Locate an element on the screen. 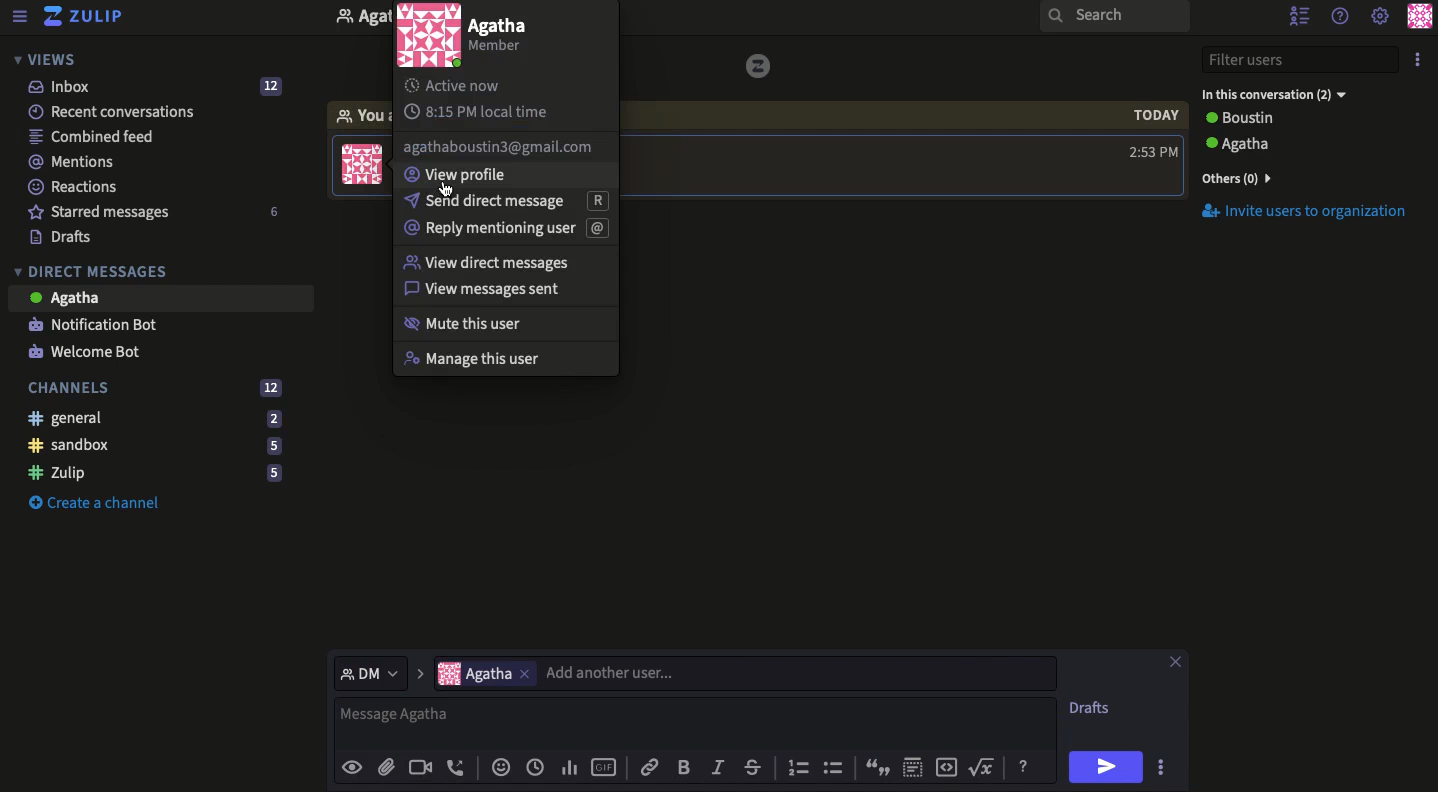 This screenshot has height=792, width=1438. Square root is located at coordinates (984, 766).